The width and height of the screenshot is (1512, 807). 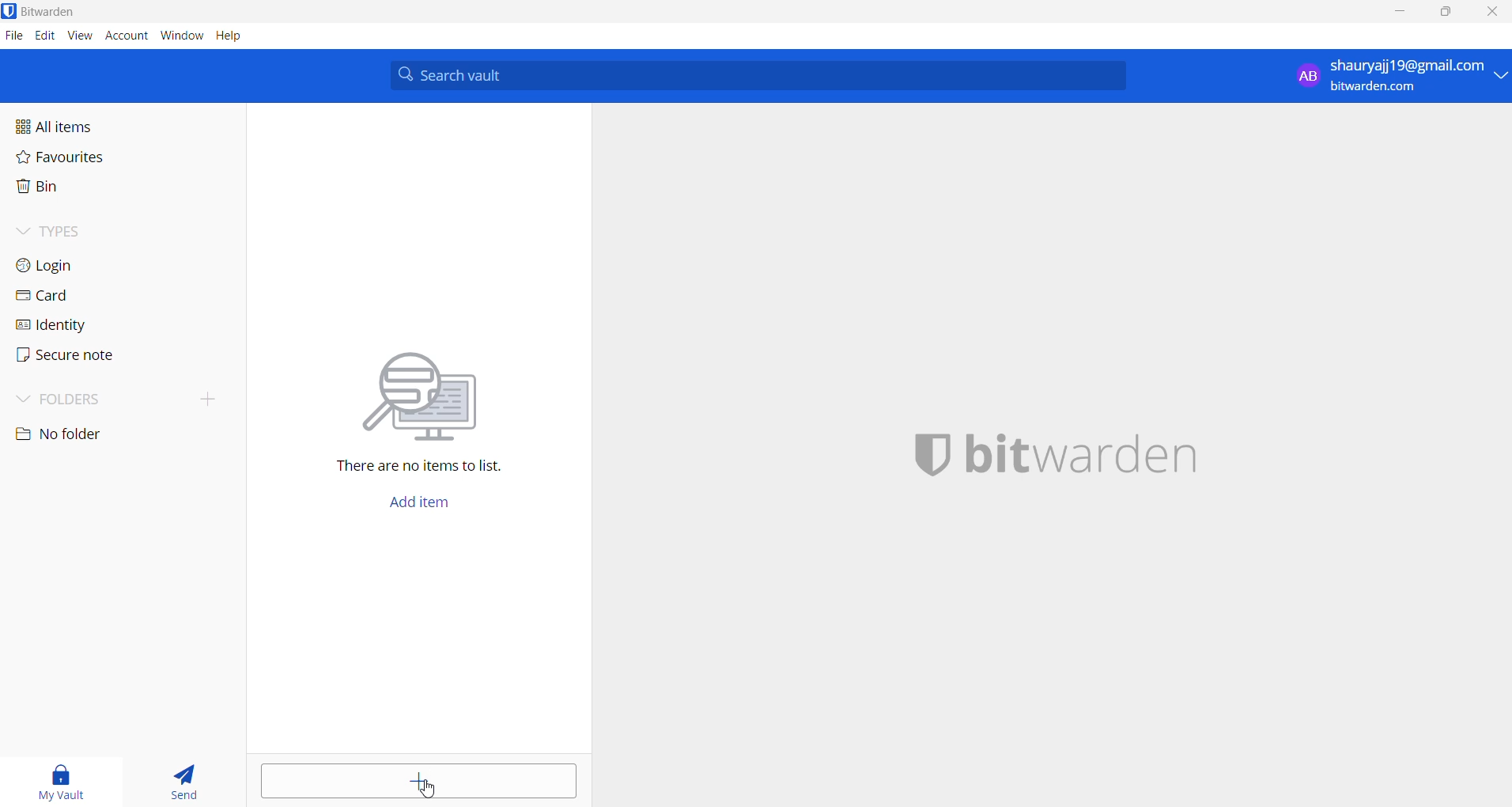 I want to click on login, so click(x=71, y=264).